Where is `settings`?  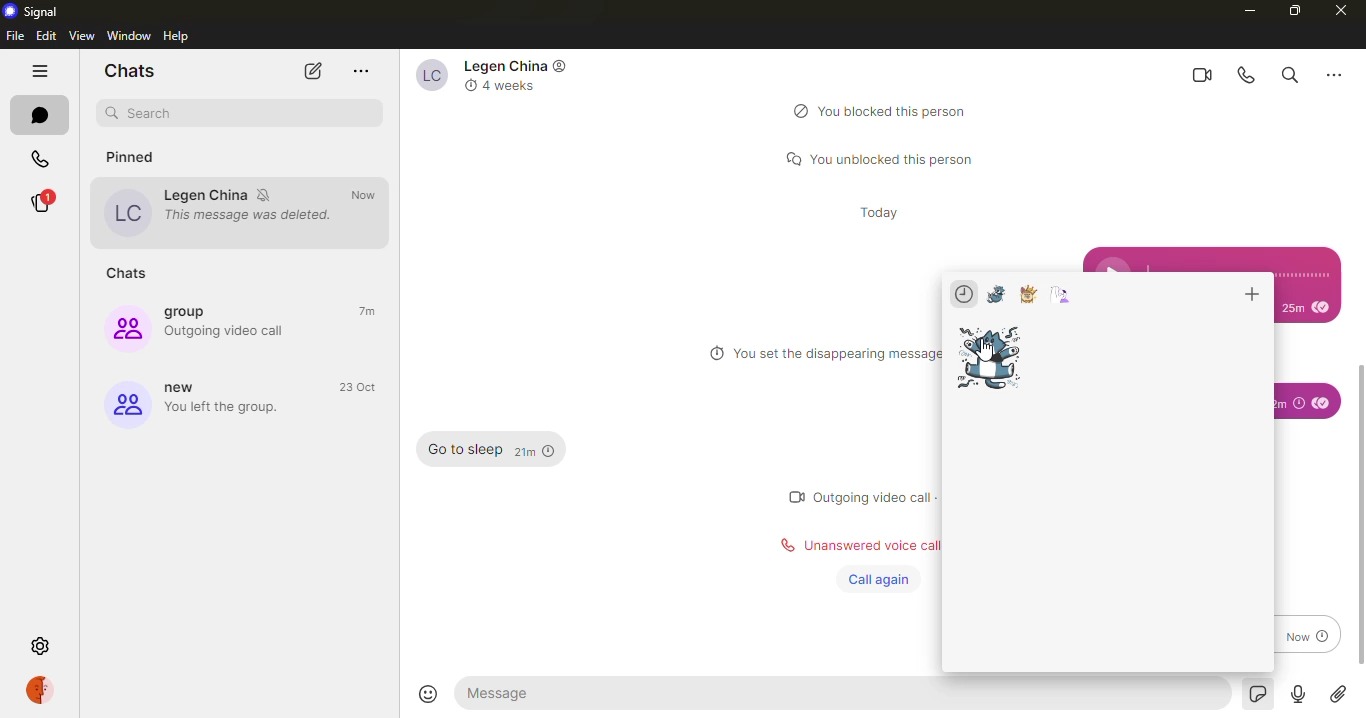
settings is located at coordinates (41, 647).